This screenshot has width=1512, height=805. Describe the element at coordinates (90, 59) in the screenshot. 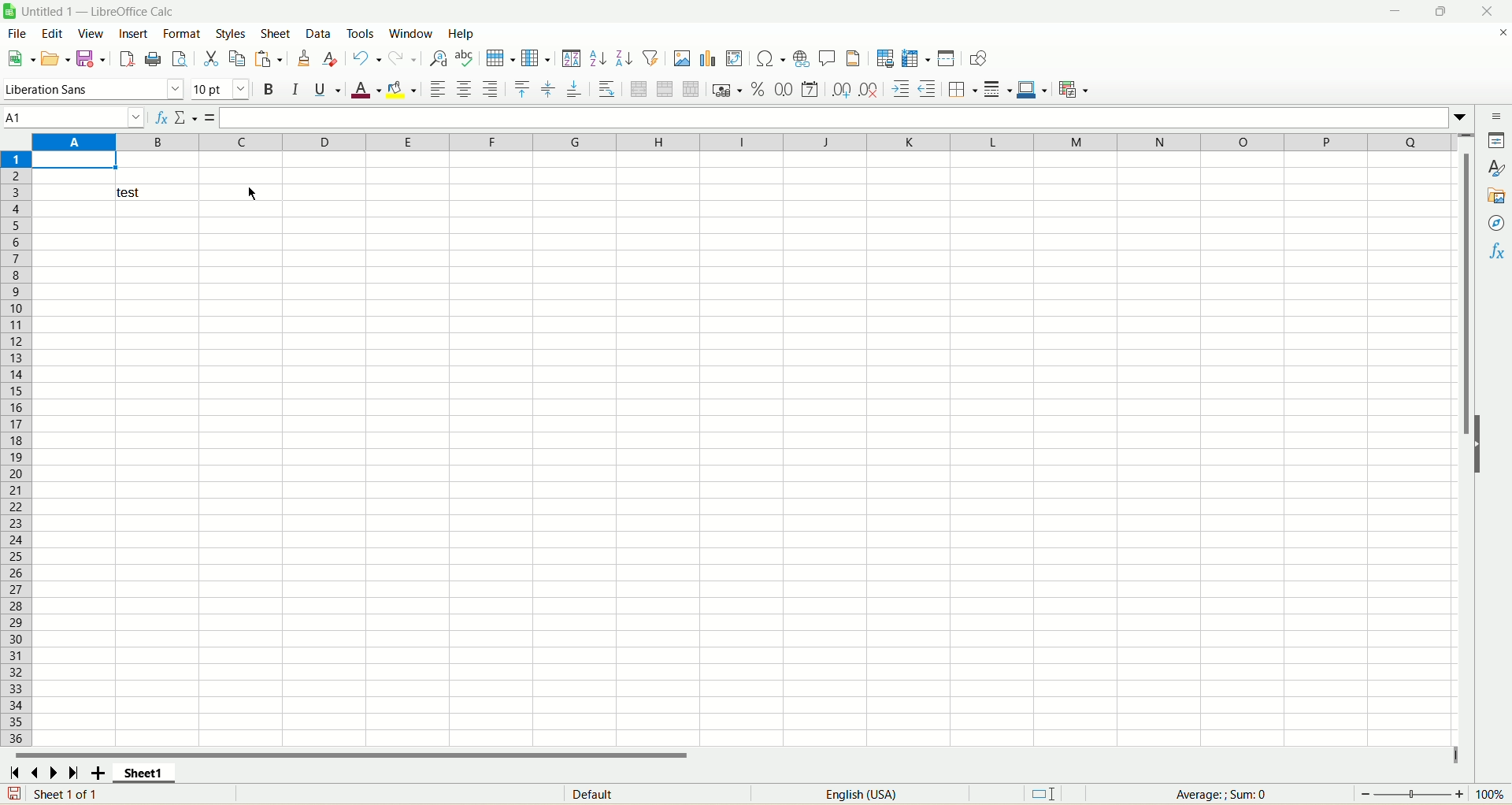

I see `save` at that location.